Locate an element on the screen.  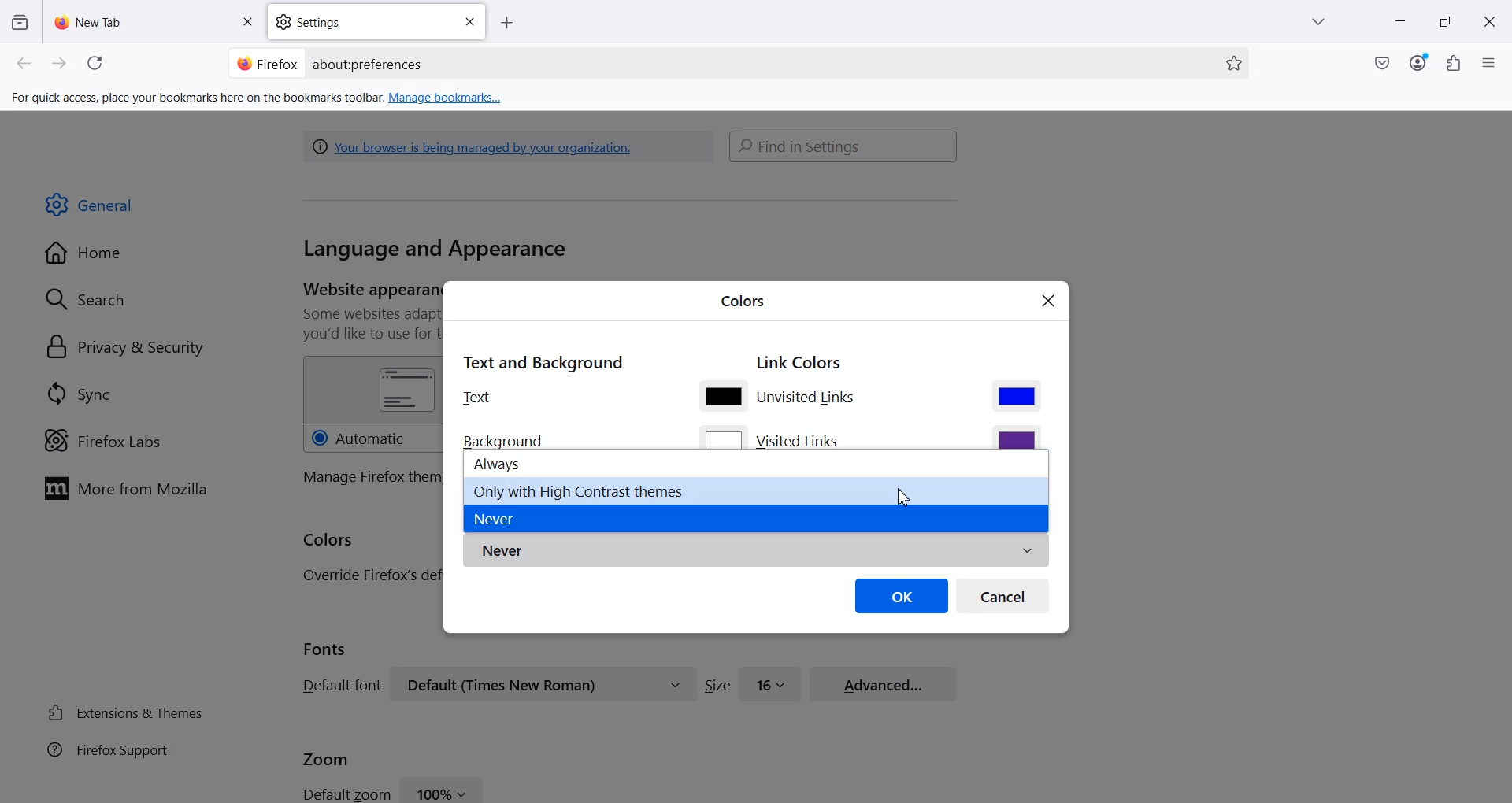
For quick access, place your bookmarks here on the bookmarks toolbar. Manage bookmarks... is located at coordinates (258, 98).